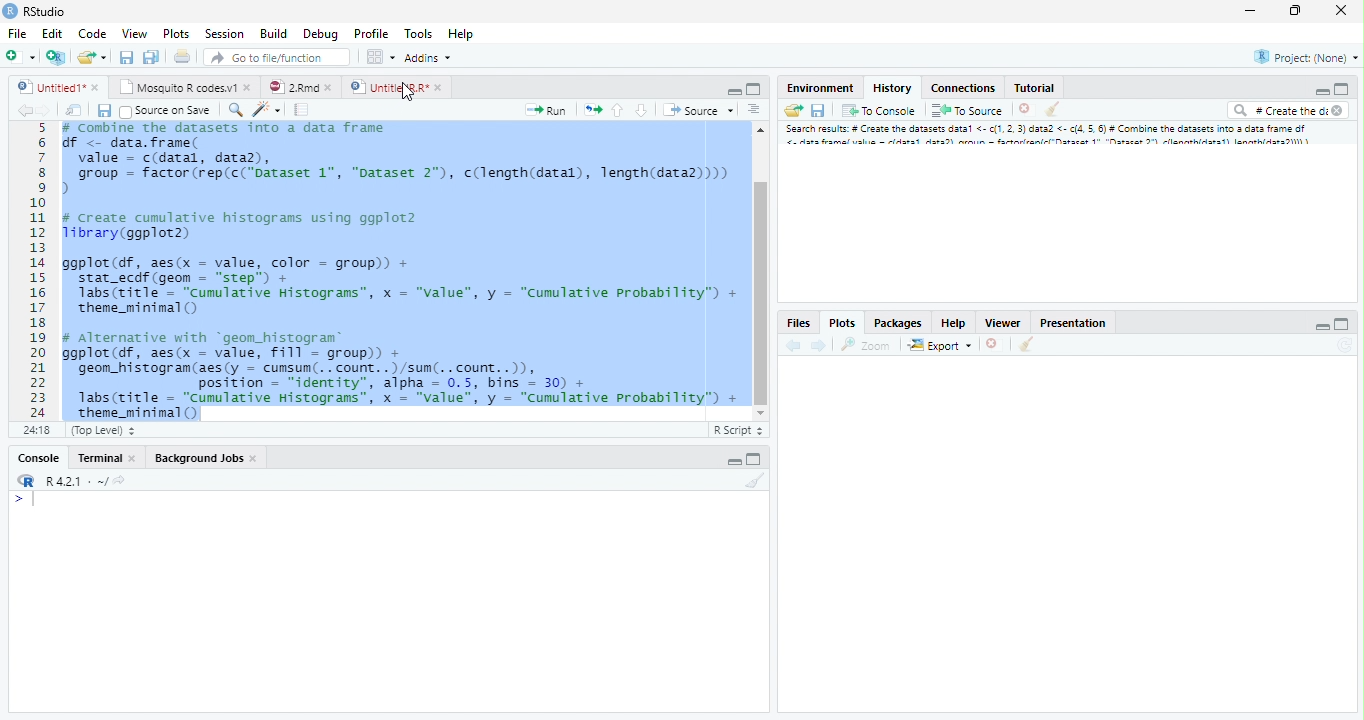  I want to click on Help, so click(953, 322).